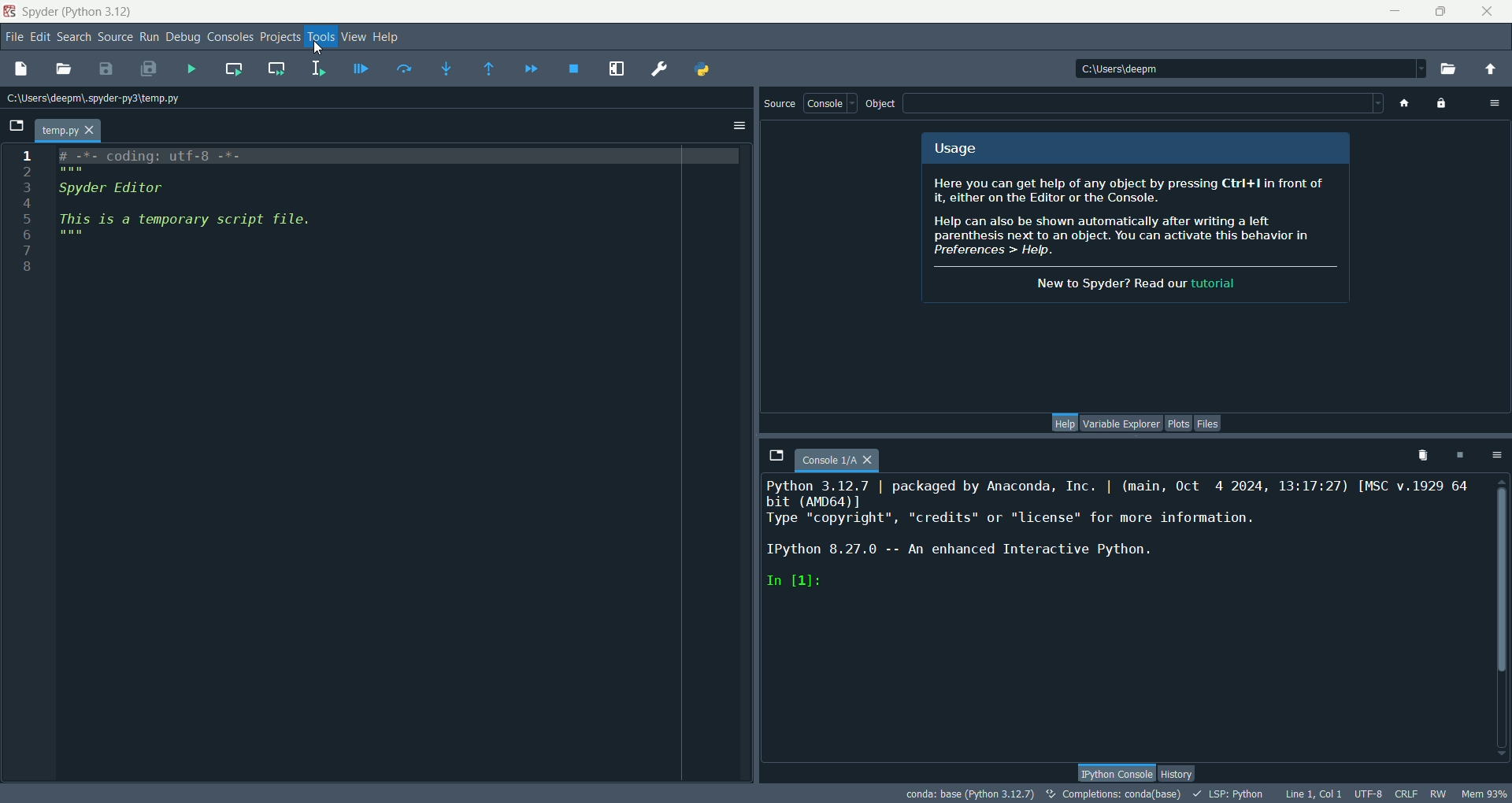 The image size is (1512, 803). Describe the element at coordinates (774, 453) in the screenshot. I see `browse tabs` at that location.